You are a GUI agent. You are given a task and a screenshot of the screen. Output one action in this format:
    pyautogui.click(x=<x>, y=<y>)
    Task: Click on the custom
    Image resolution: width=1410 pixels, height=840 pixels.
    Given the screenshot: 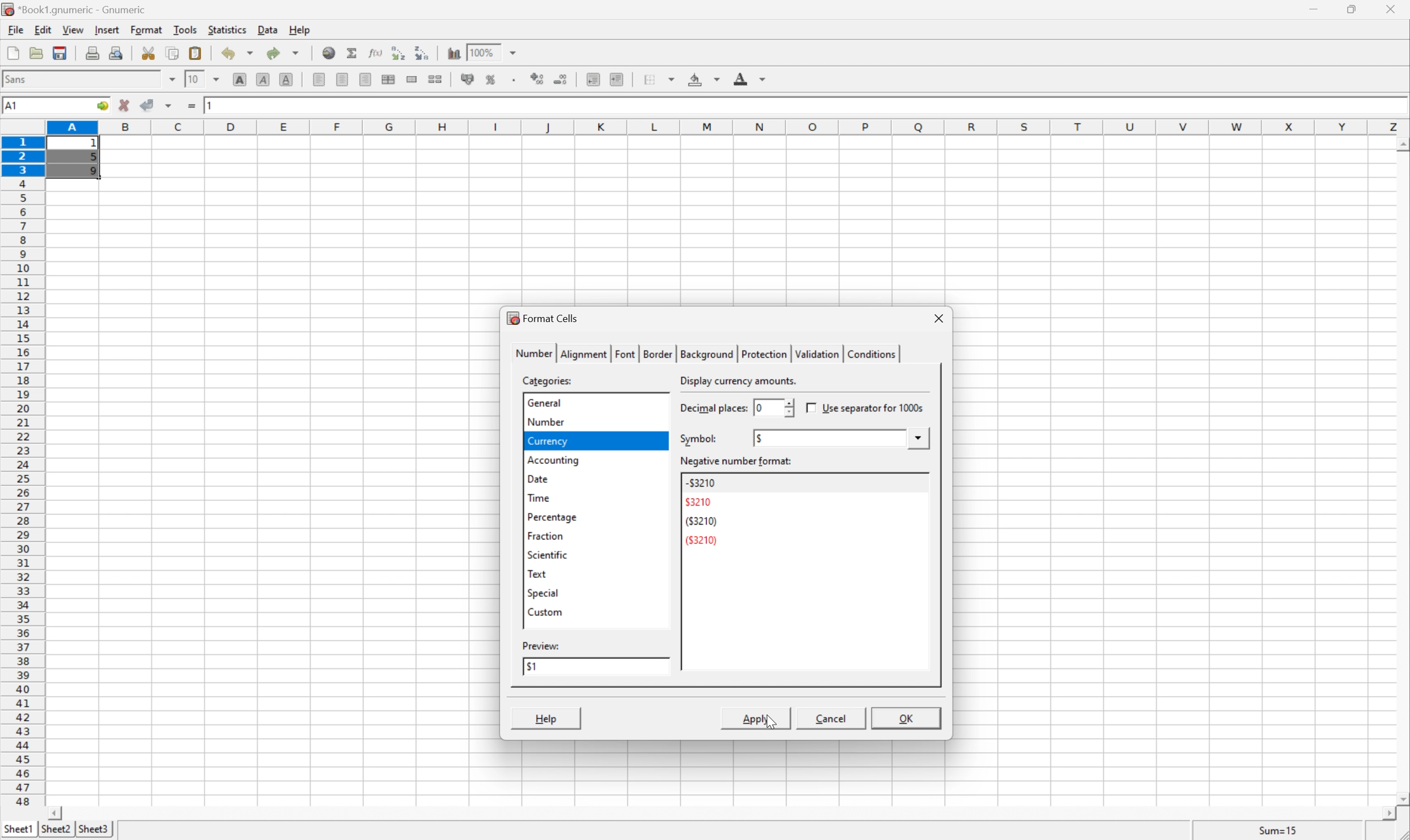 What is the action you would take?
    pyautogui.click(x=545, y=611)
    